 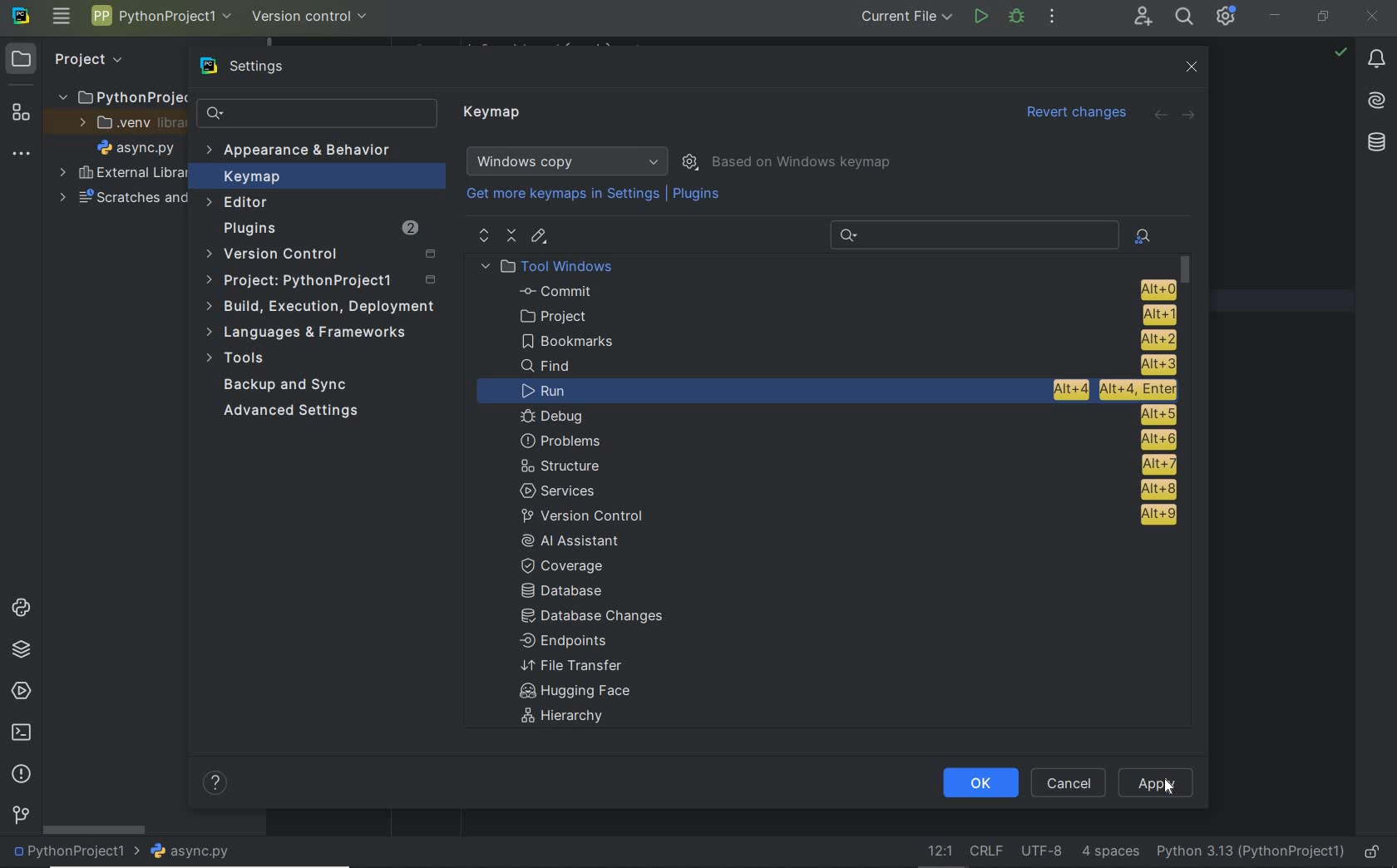 I want to click on build, execution, deployment, so click(x=319, y=307).